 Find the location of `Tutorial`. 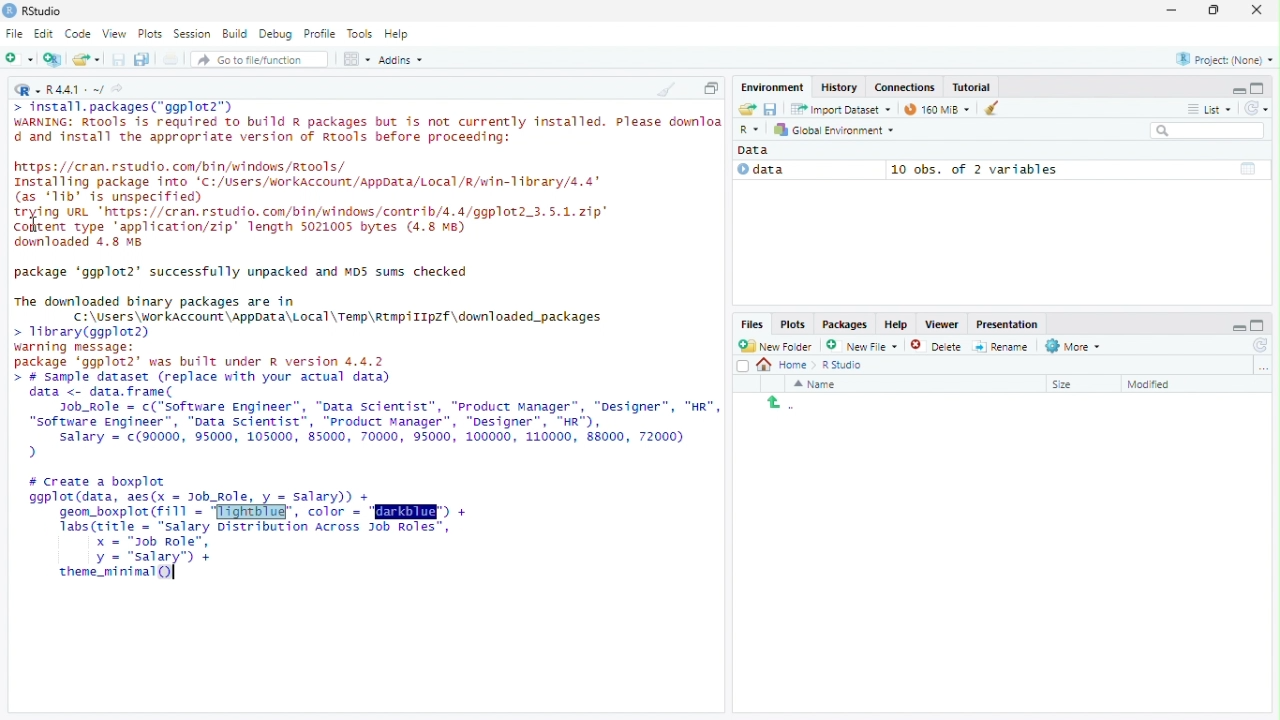

Tutorial is located at coordinates (973, 87).